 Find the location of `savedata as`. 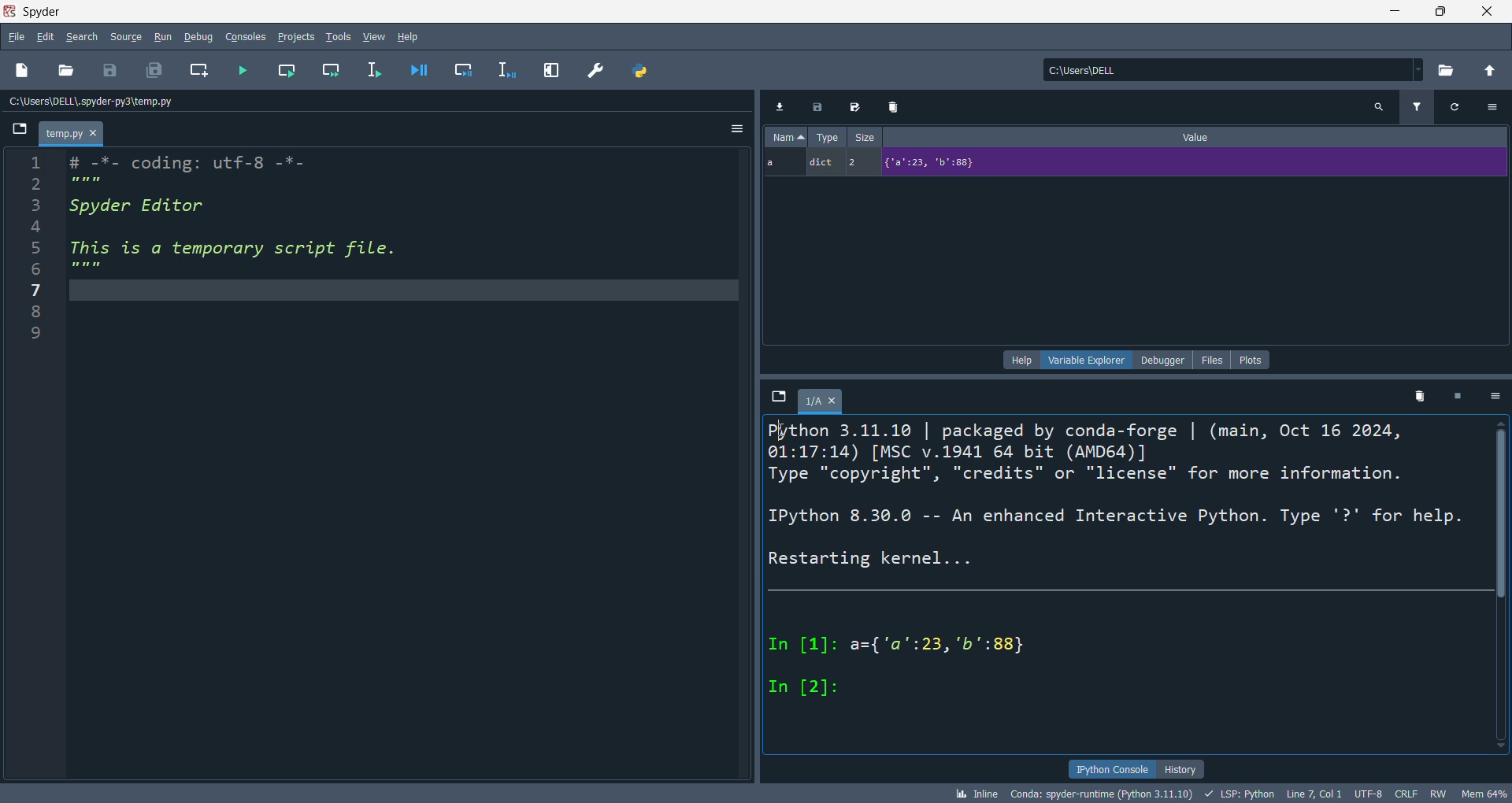

savedata as is located at coordinates (858, 105).